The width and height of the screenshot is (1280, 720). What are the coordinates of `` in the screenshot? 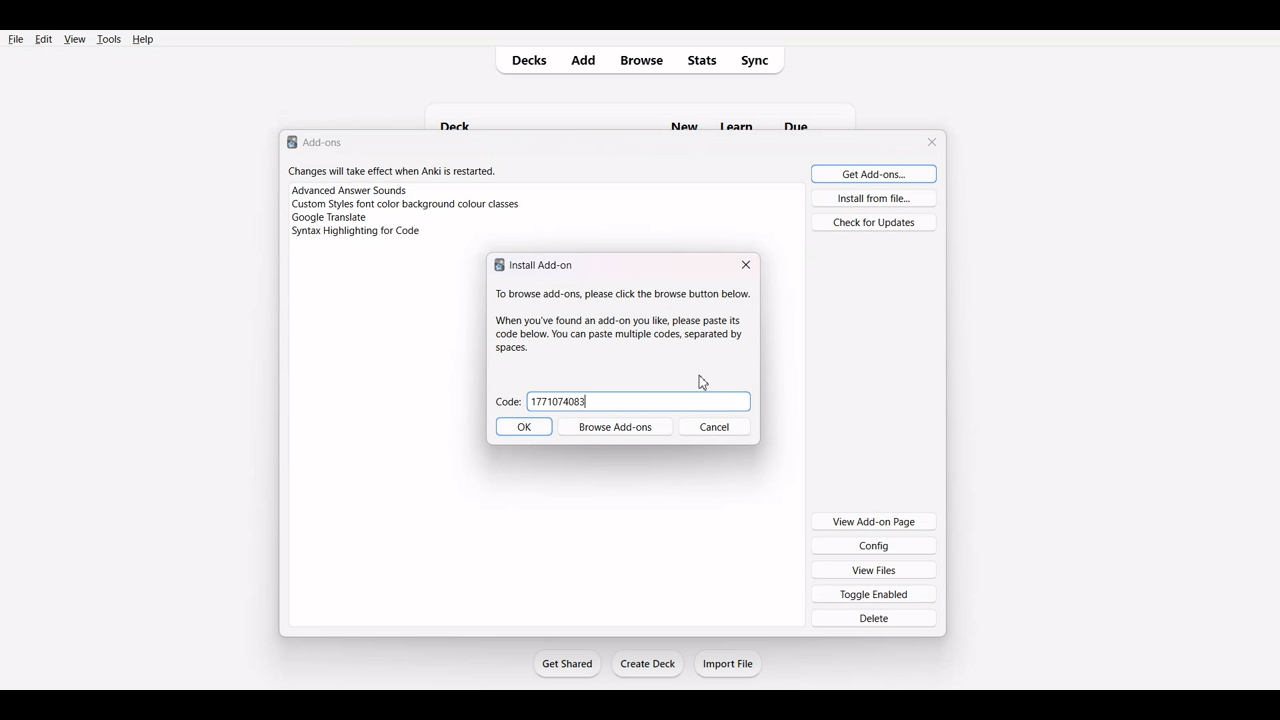 It's located at (808, 115).